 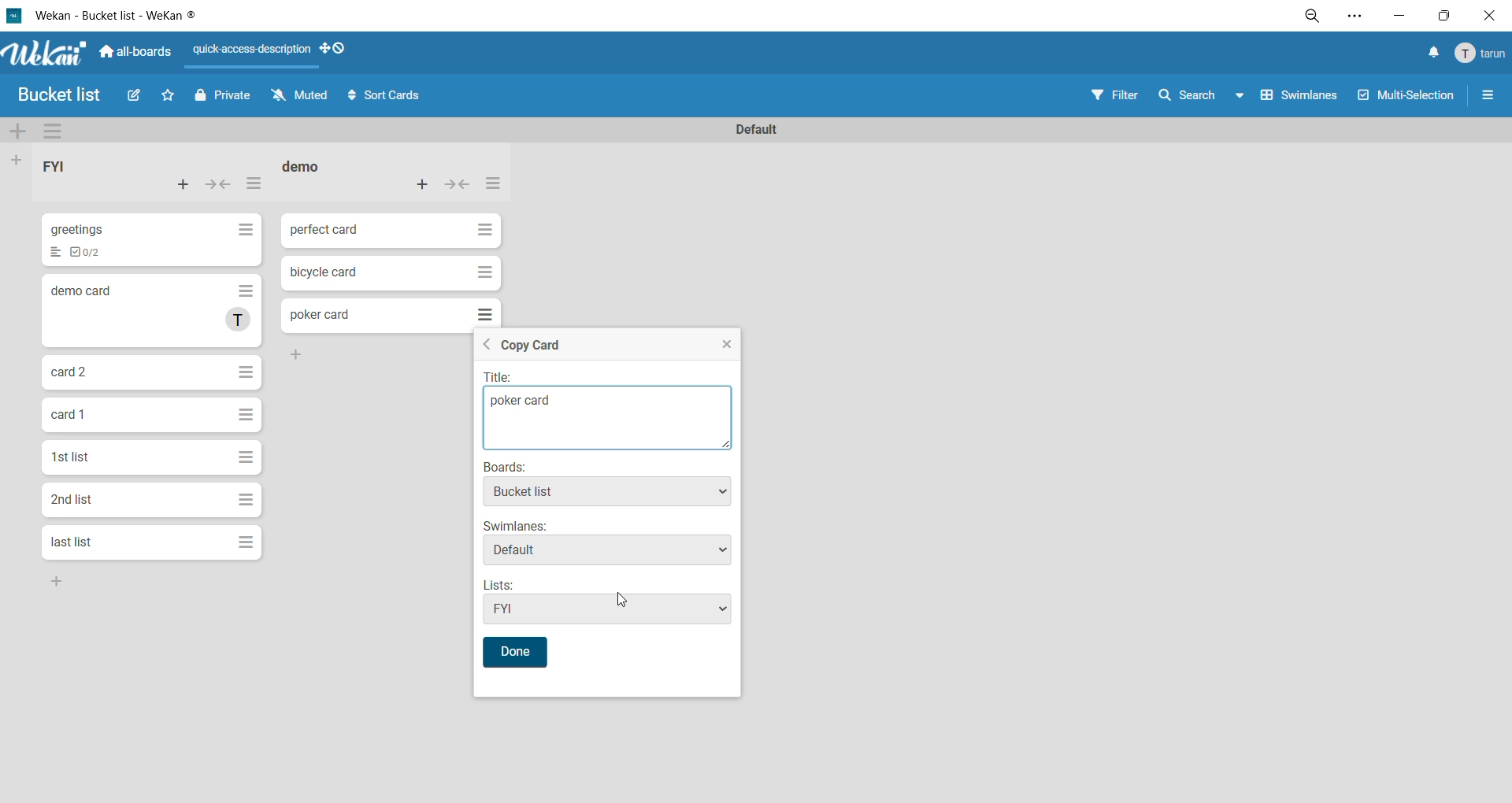 I want to click on greetings, so click(x=81, y=228).